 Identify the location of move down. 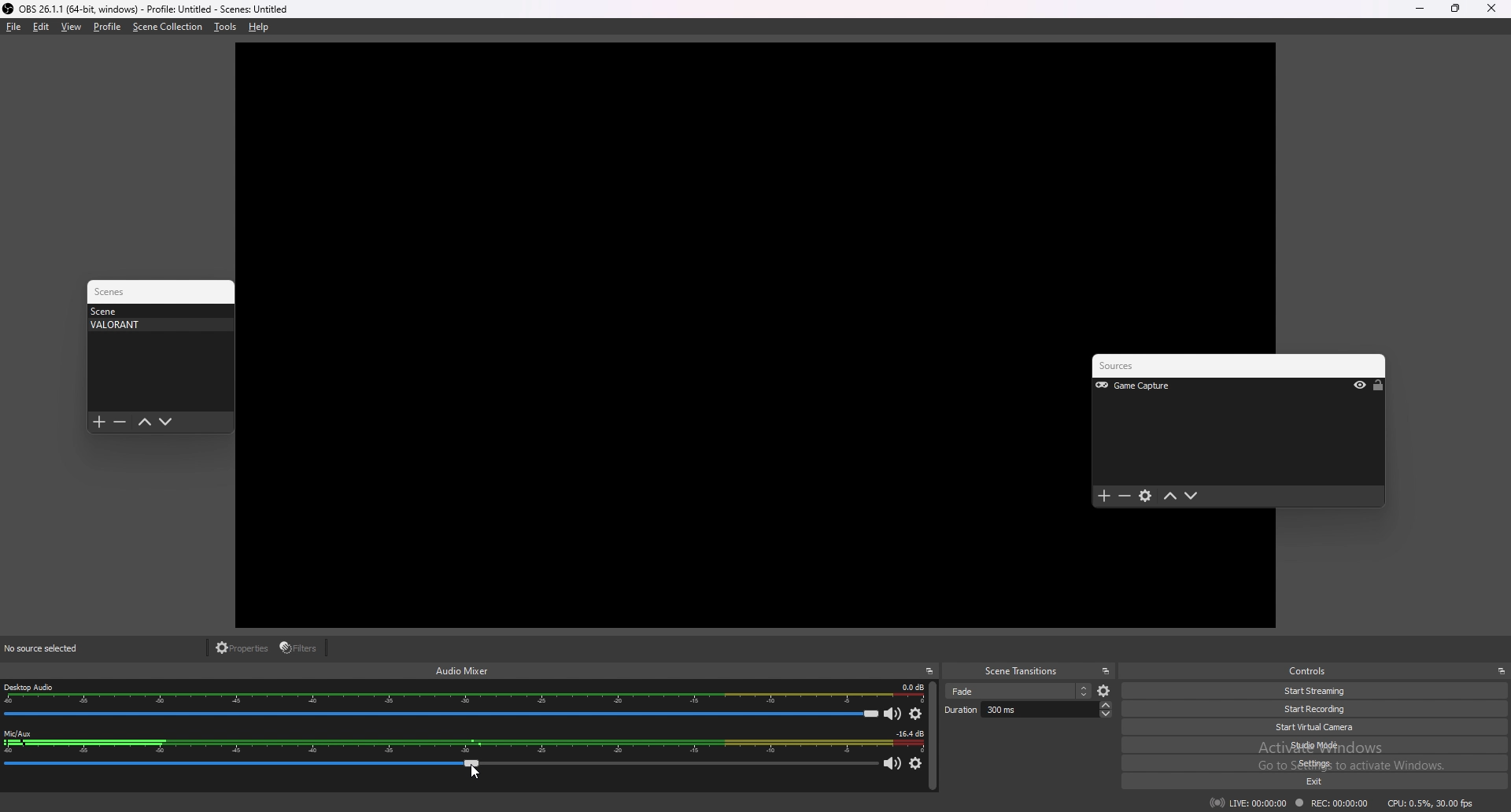
(1191, 496).